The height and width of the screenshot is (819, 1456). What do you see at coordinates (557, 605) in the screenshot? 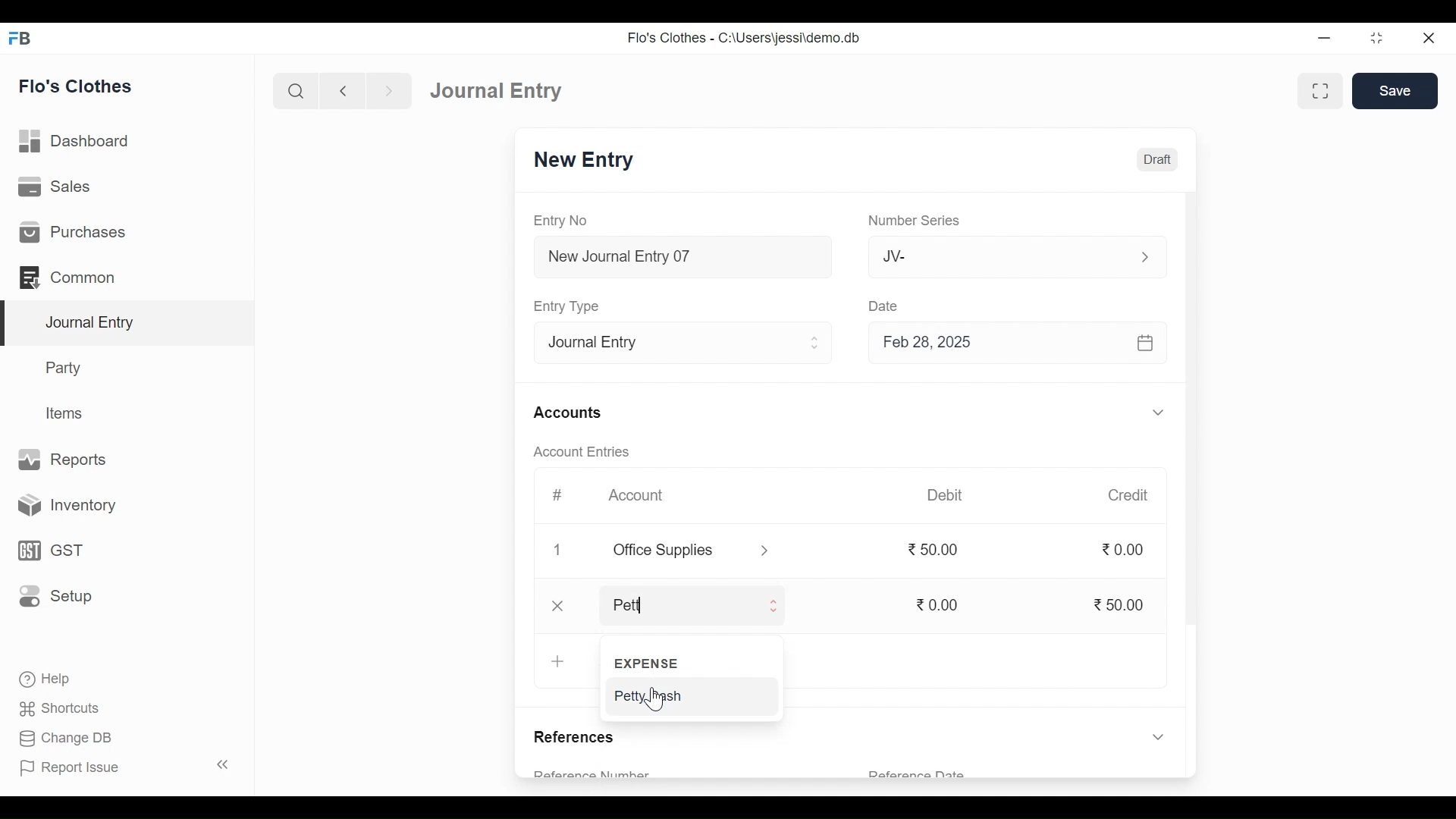
I see `Close ` at bounding box center [557, 605].